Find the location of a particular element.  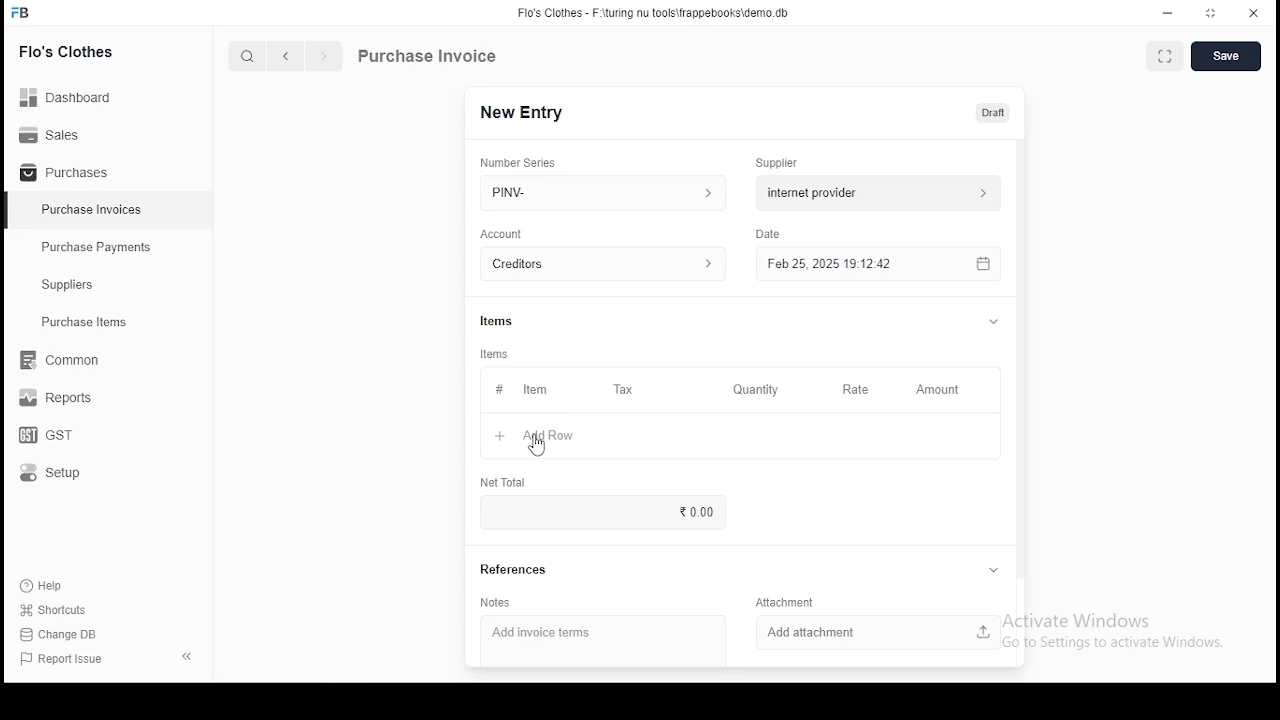

reports is located at coordinates (58, 400).